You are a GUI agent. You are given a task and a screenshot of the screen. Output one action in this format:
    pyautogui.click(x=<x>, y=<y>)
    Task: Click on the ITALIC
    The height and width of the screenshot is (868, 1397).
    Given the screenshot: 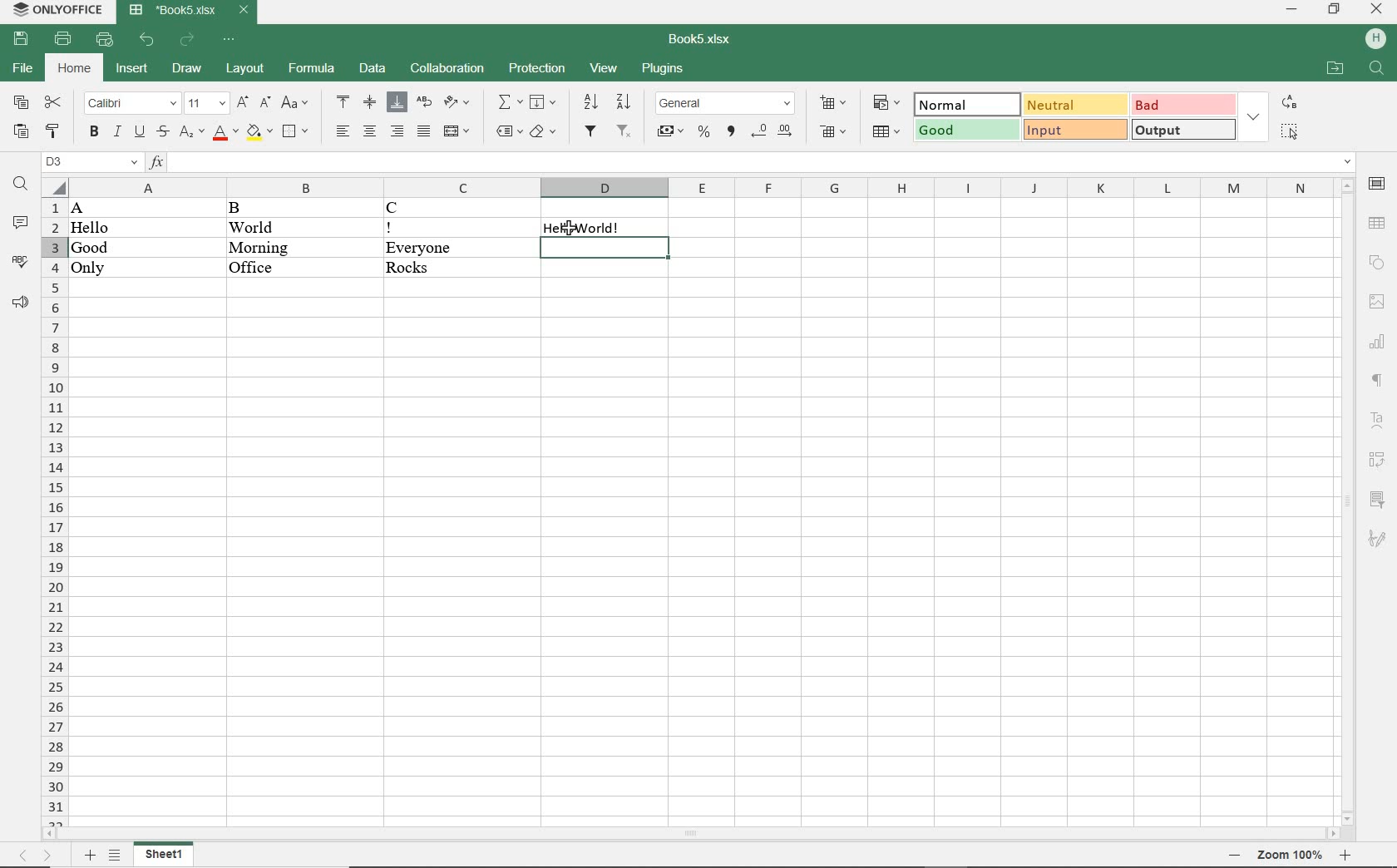 What is the action you would take?
    pyautogui.click(x=116, y=133)
    